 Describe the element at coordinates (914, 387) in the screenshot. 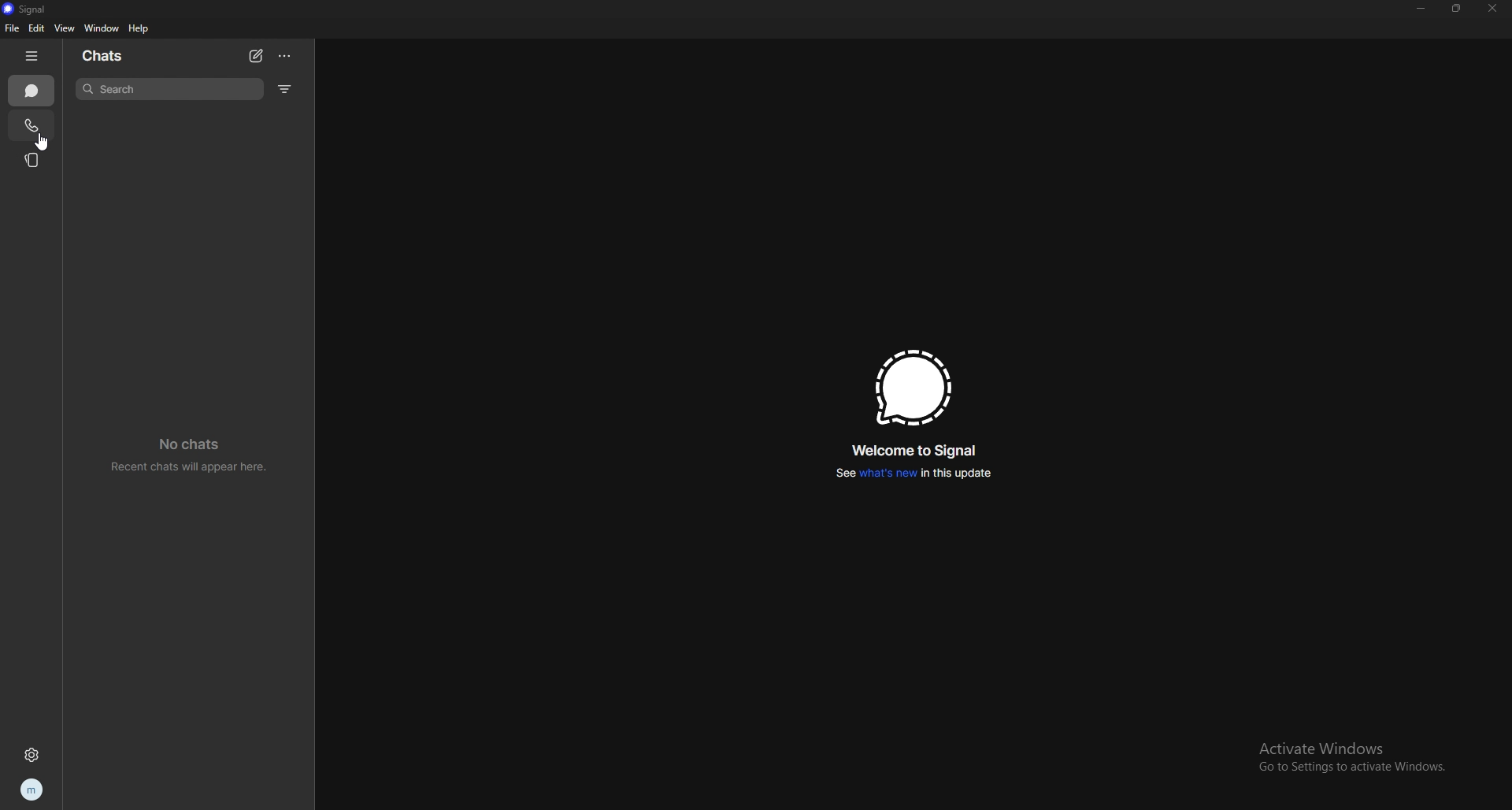

I see `signal logo` at that location.